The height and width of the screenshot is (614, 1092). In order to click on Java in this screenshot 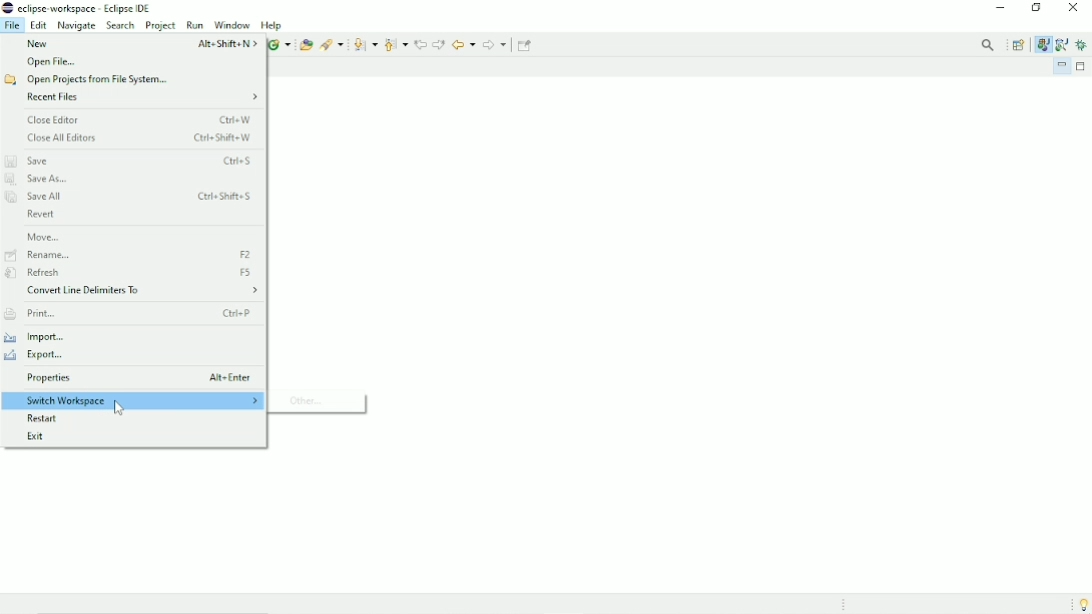, I will do `click(1042, 44)`.